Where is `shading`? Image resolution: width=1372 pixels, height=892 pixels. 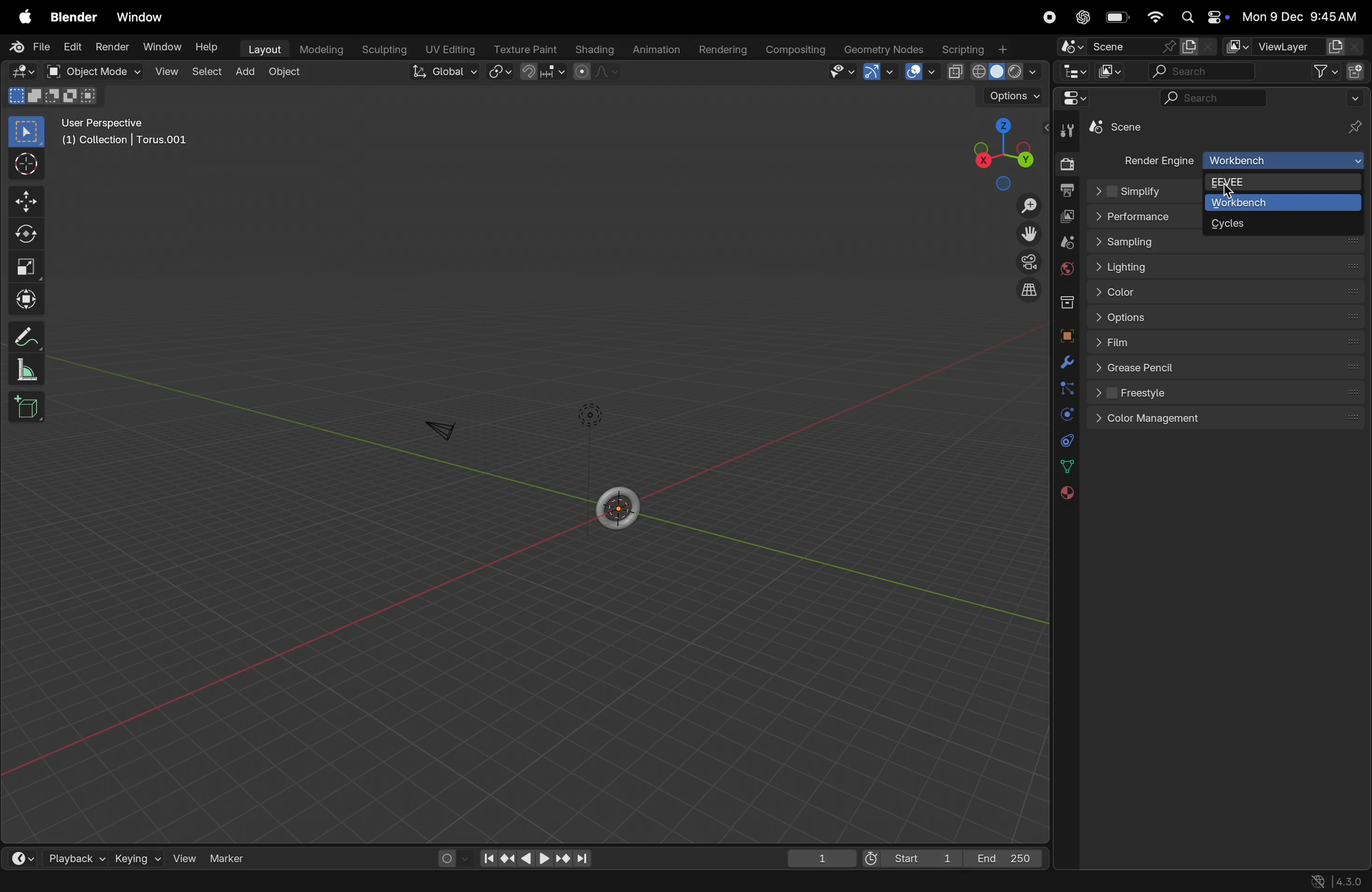 shading is located at coordinates (596, 50).